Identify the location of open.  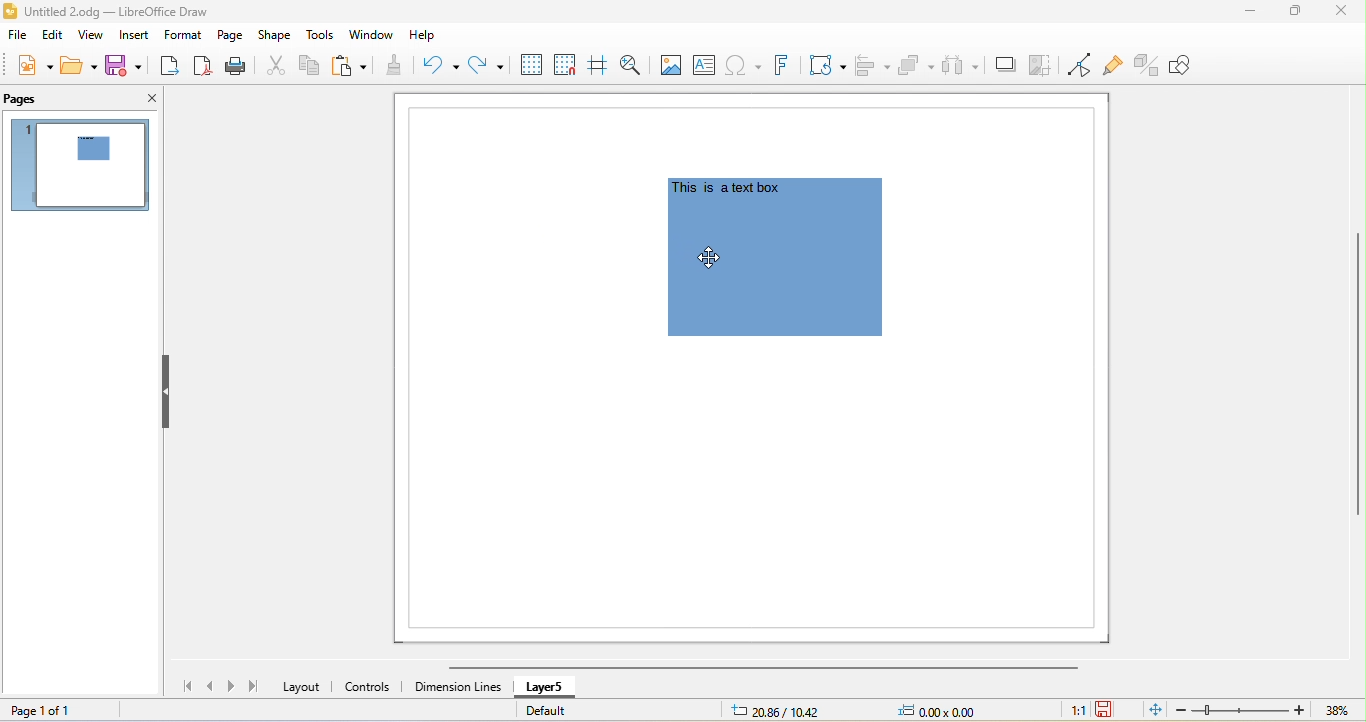
(76, 63).